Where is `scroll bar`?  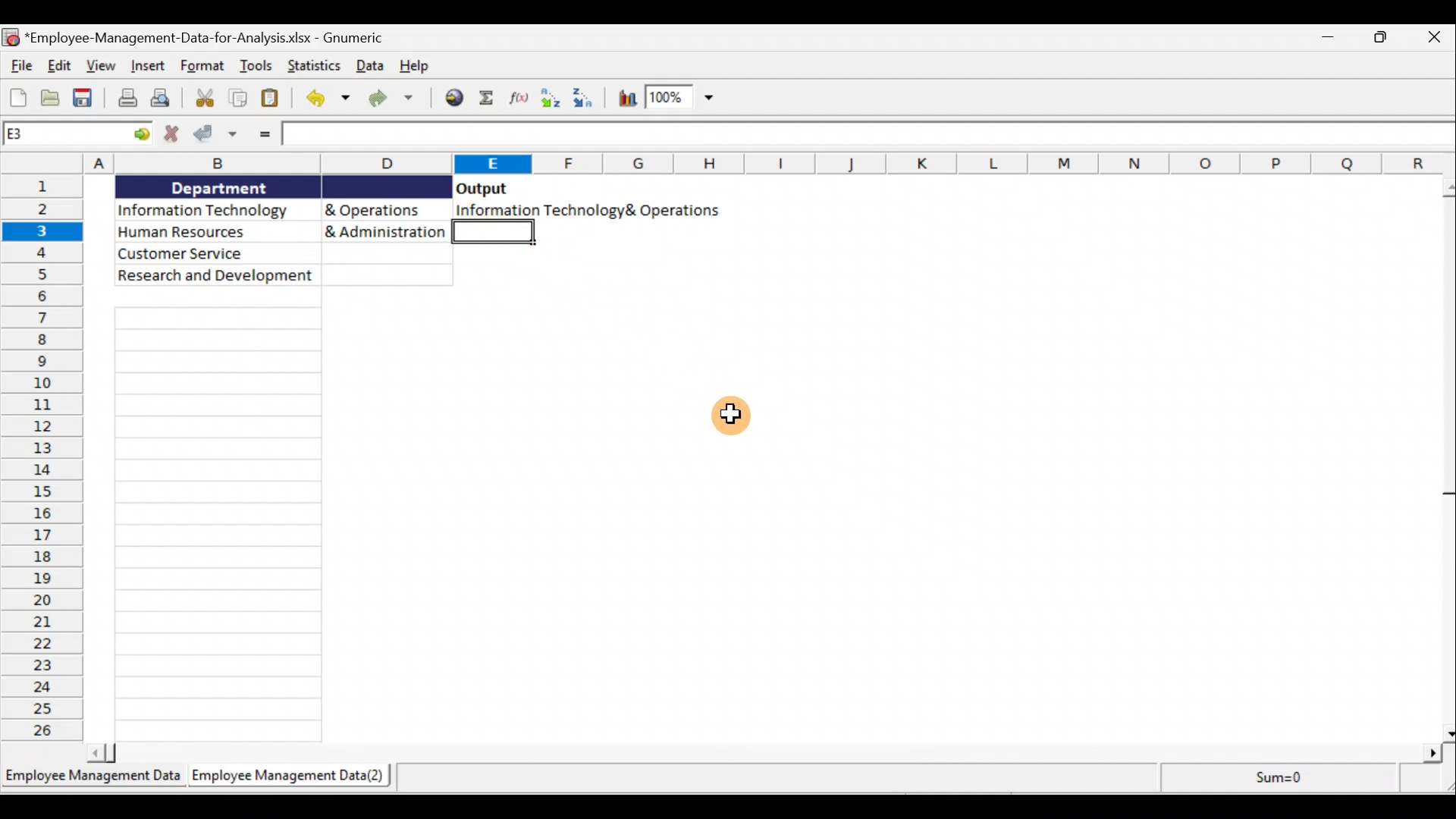
scroll bar is located at coordinates (1444, 457).